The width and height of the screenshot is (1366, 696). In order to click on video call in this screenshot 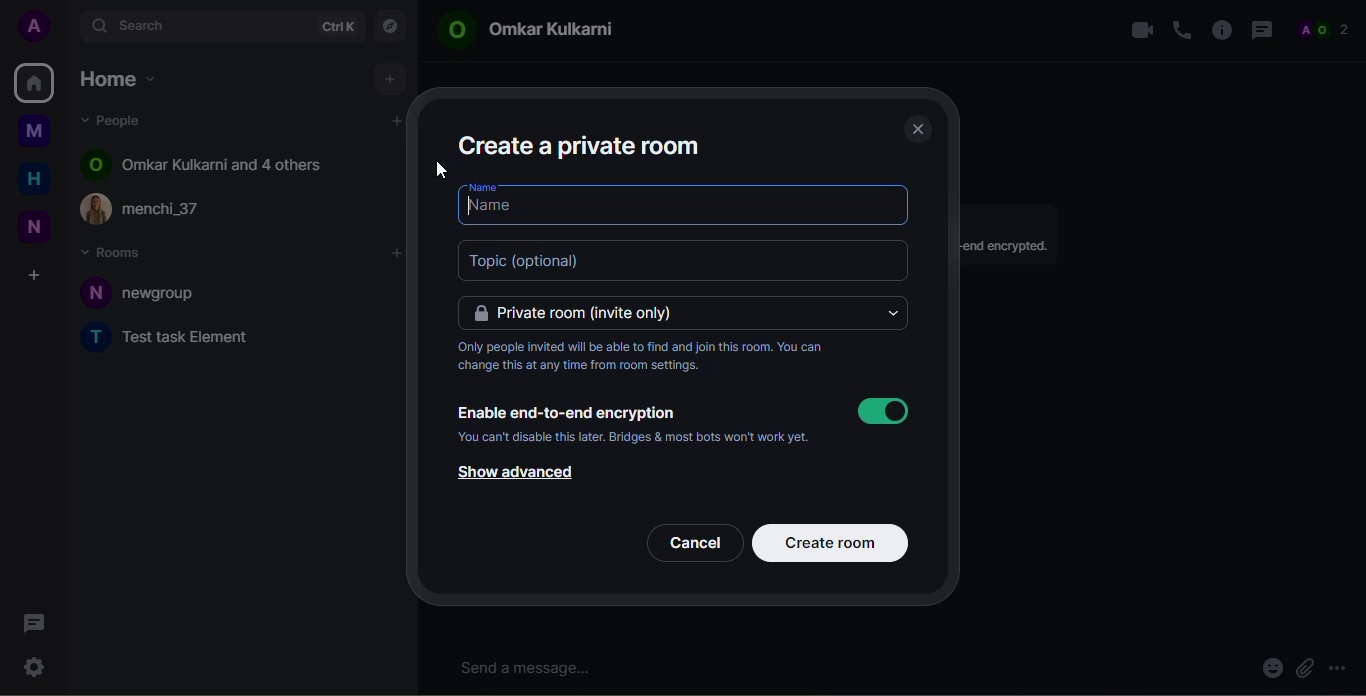, I will do `click(1137, 28)`.